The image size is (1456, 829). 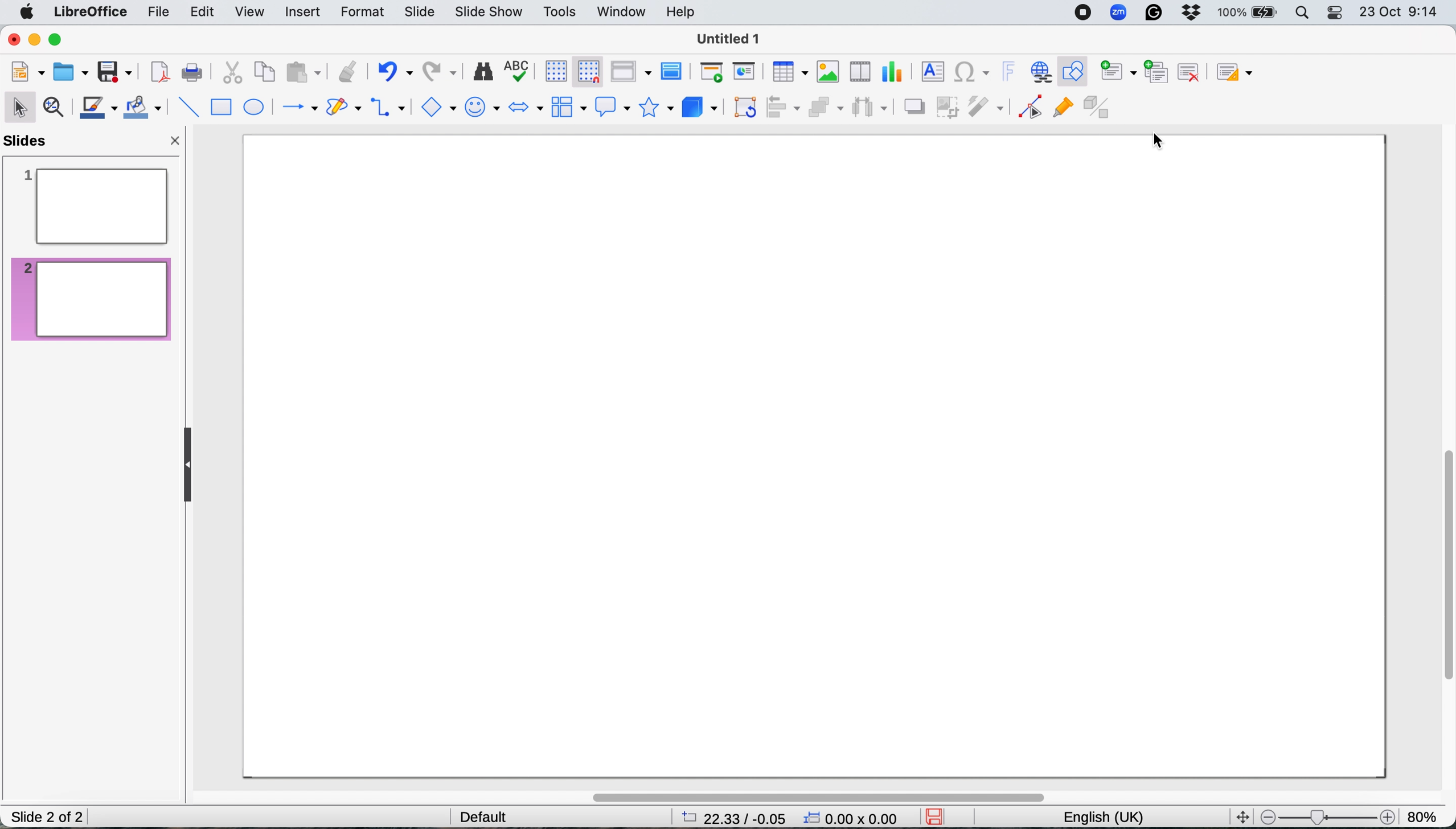 I want to click on slide 1 of 1, so click(x=47, y=816).